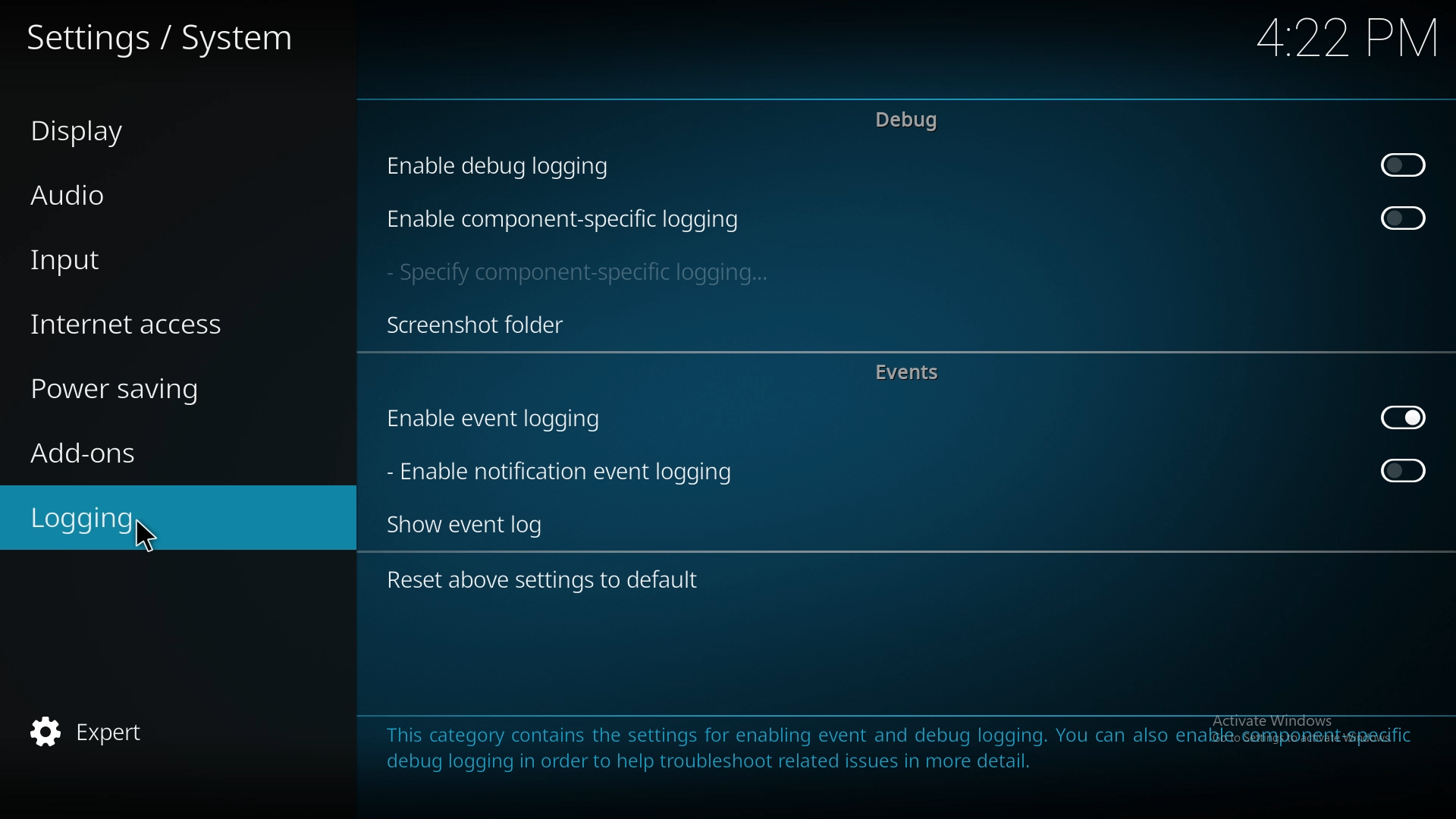  What do you see at coordinates (1404, 471) in the screenshot?
I see `off` at bounding box center [1404, 471].